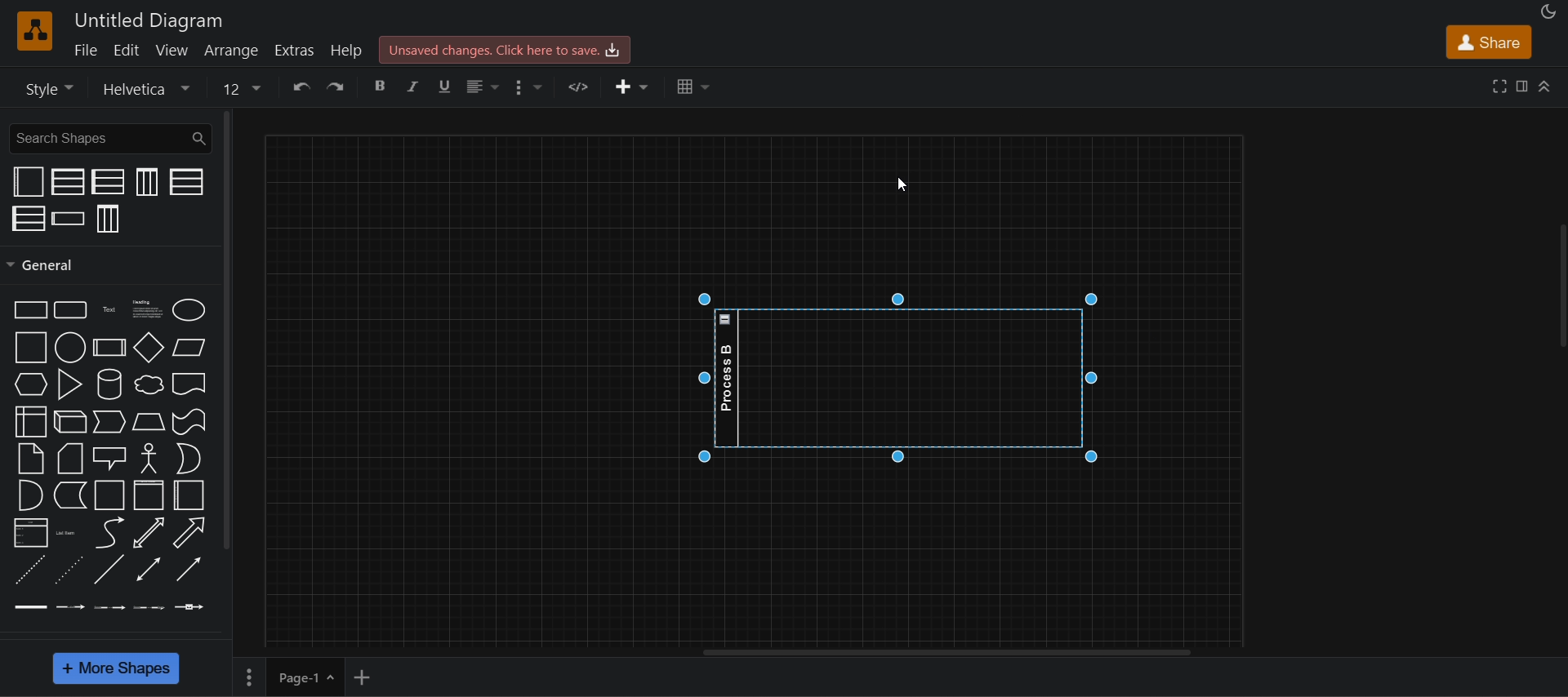 This screenshot has width=1568, height=697. Describe the element at coordinates (1490, 42) in the screenshot. I see `share` at that location.